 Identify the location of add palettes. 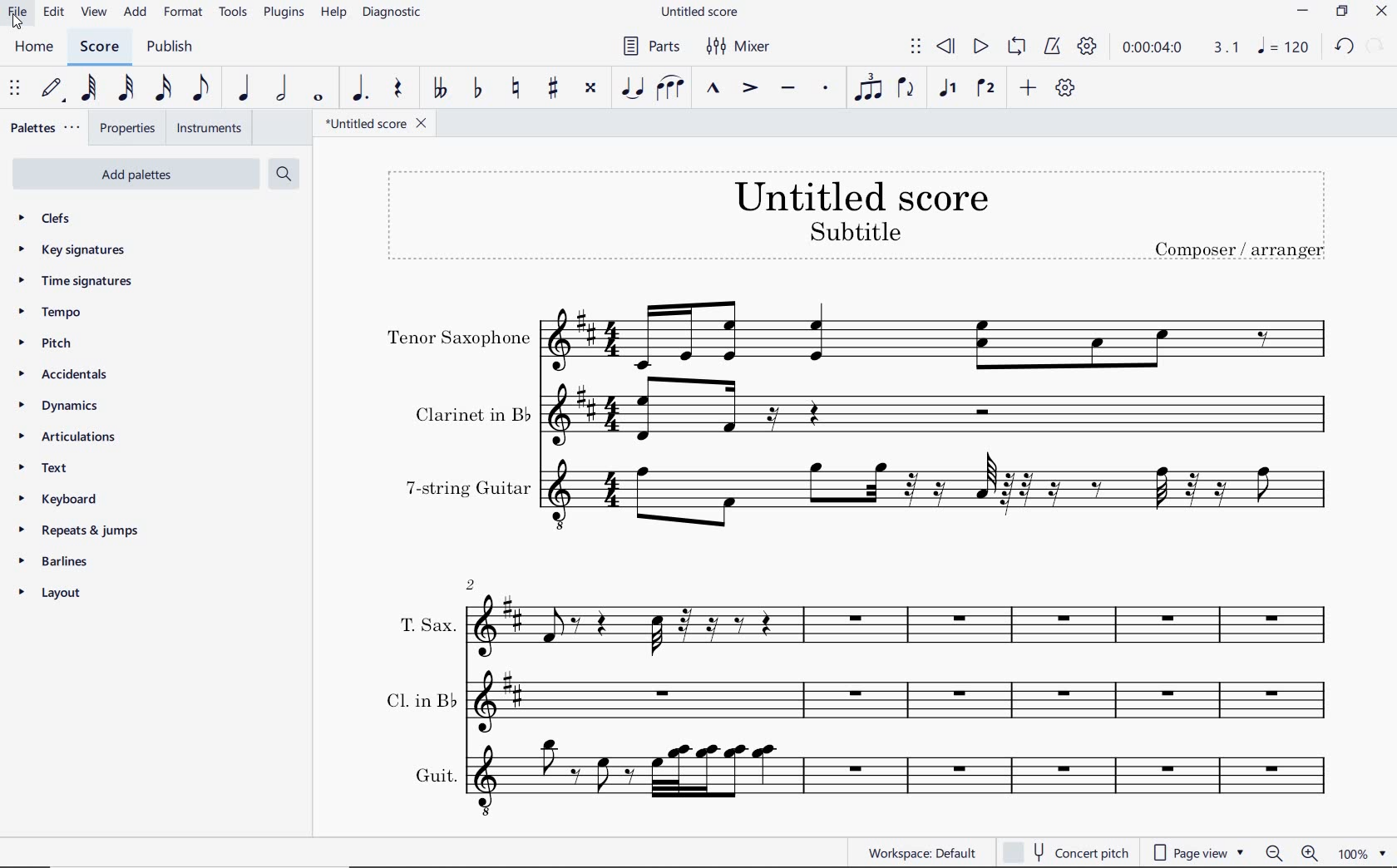
(133, 174).